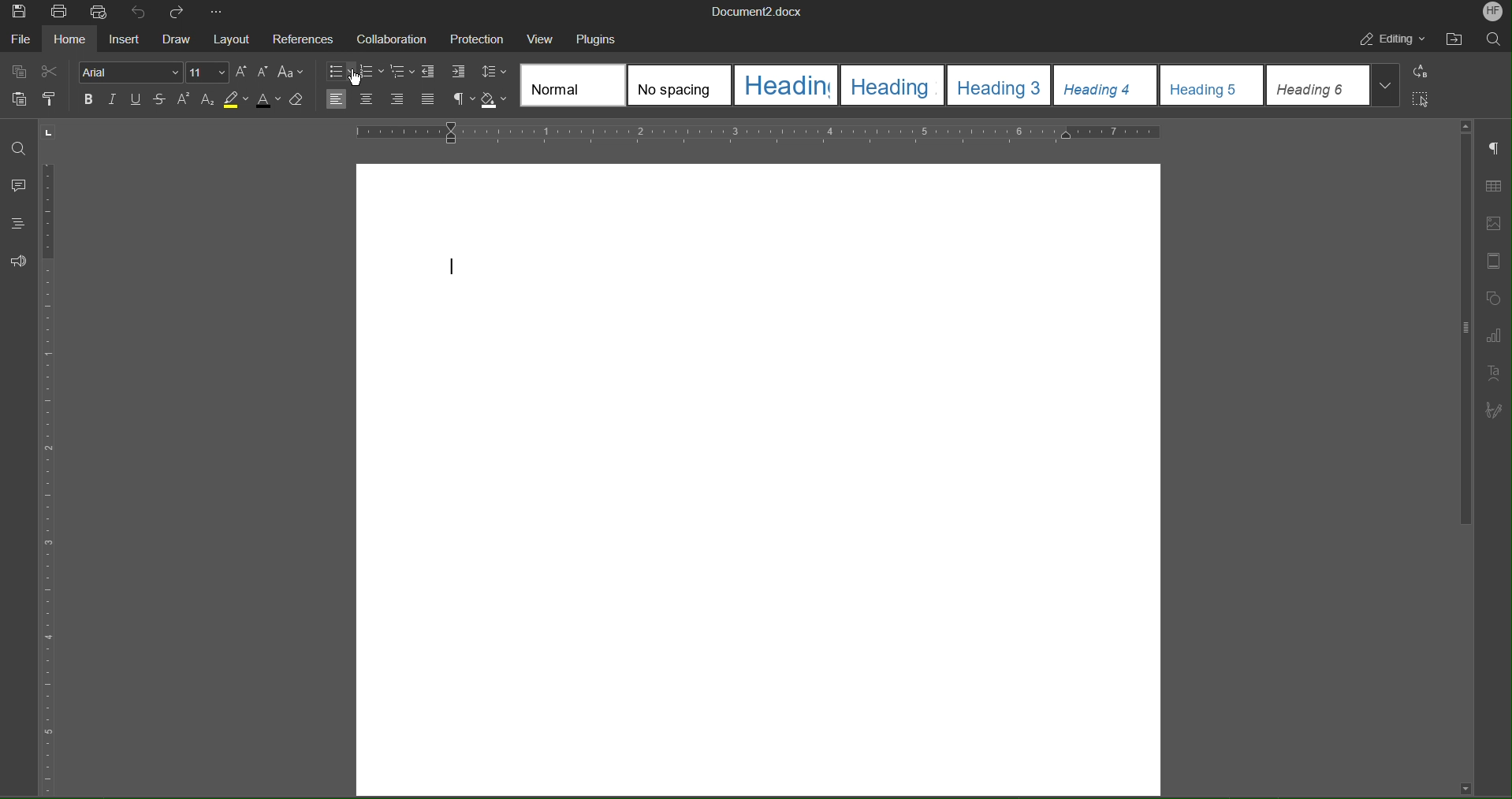 This screenshot has height=799, width=1512. I want to click on Table Settings, so click(1490, 186).